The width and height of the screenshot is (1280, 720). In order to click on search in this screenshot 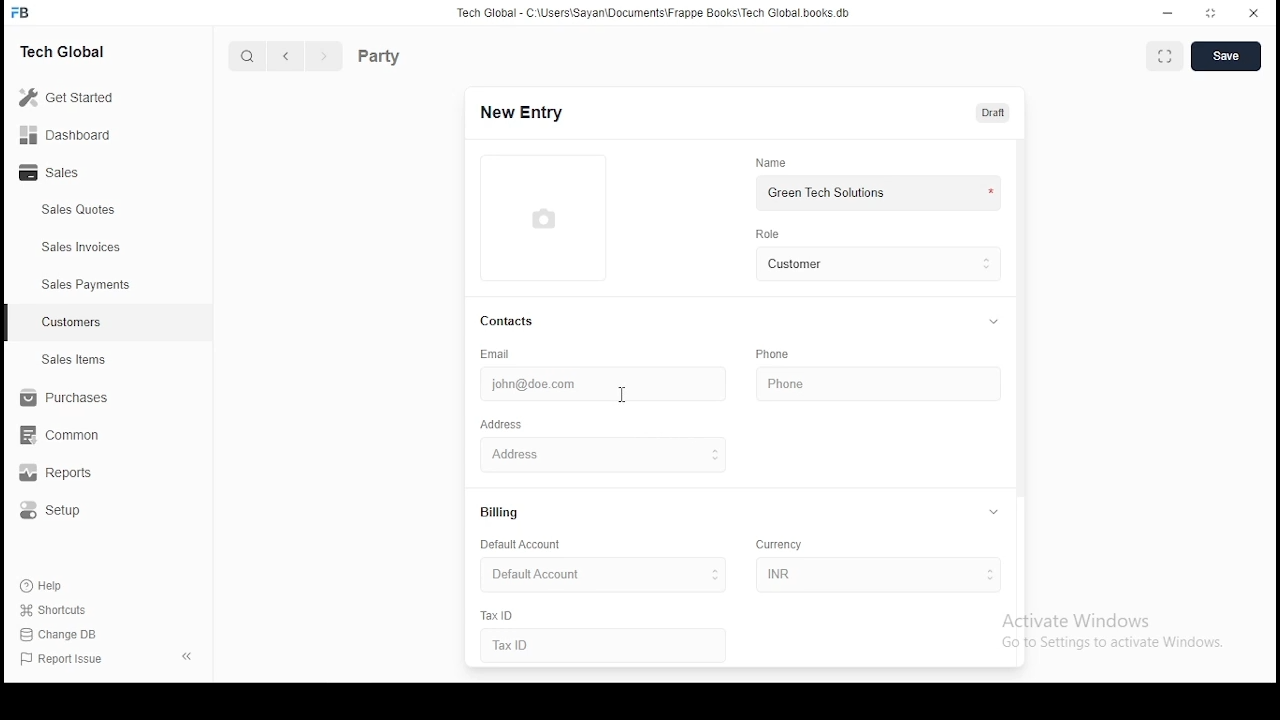, I will do `click(251, 55)`.